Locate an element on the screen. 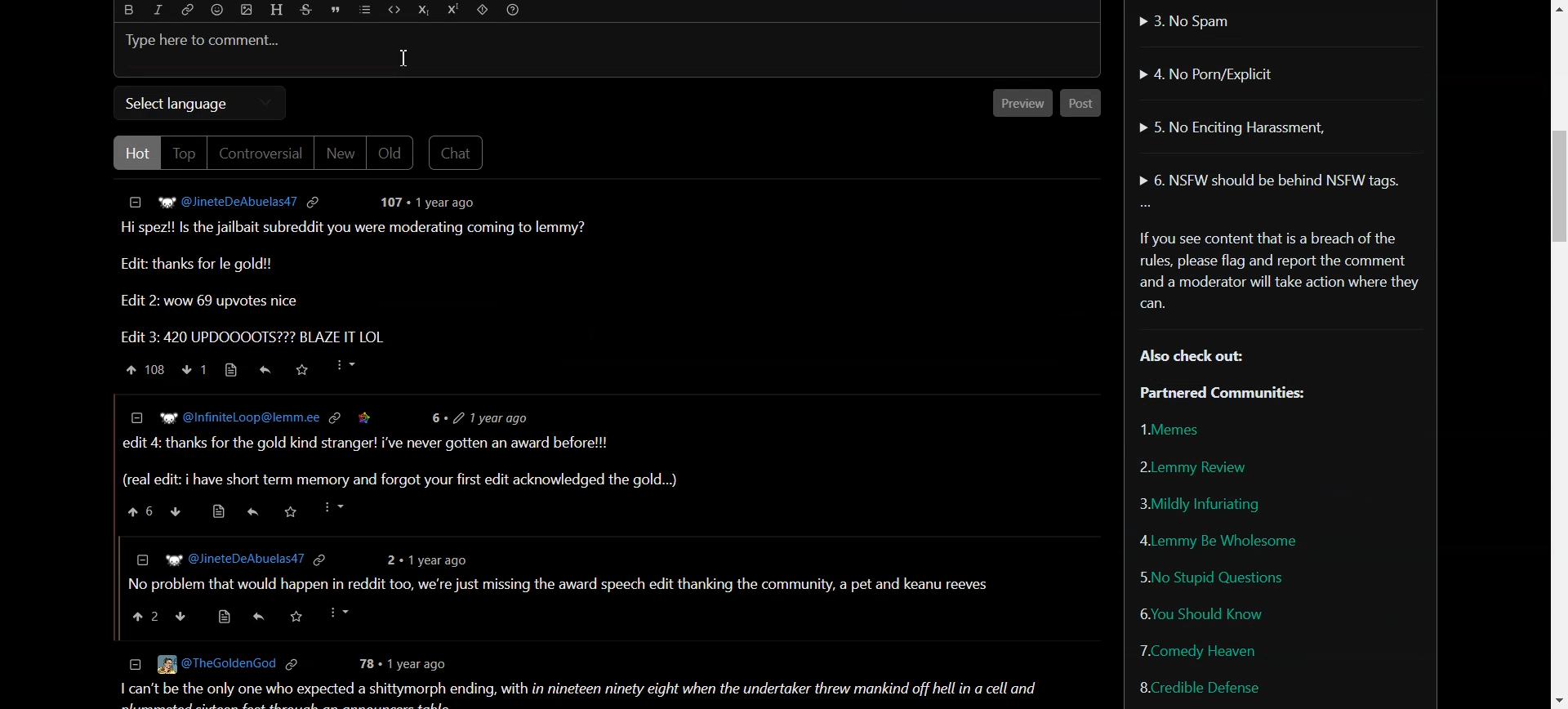  Upload photo is located at coordinates (247, 9).